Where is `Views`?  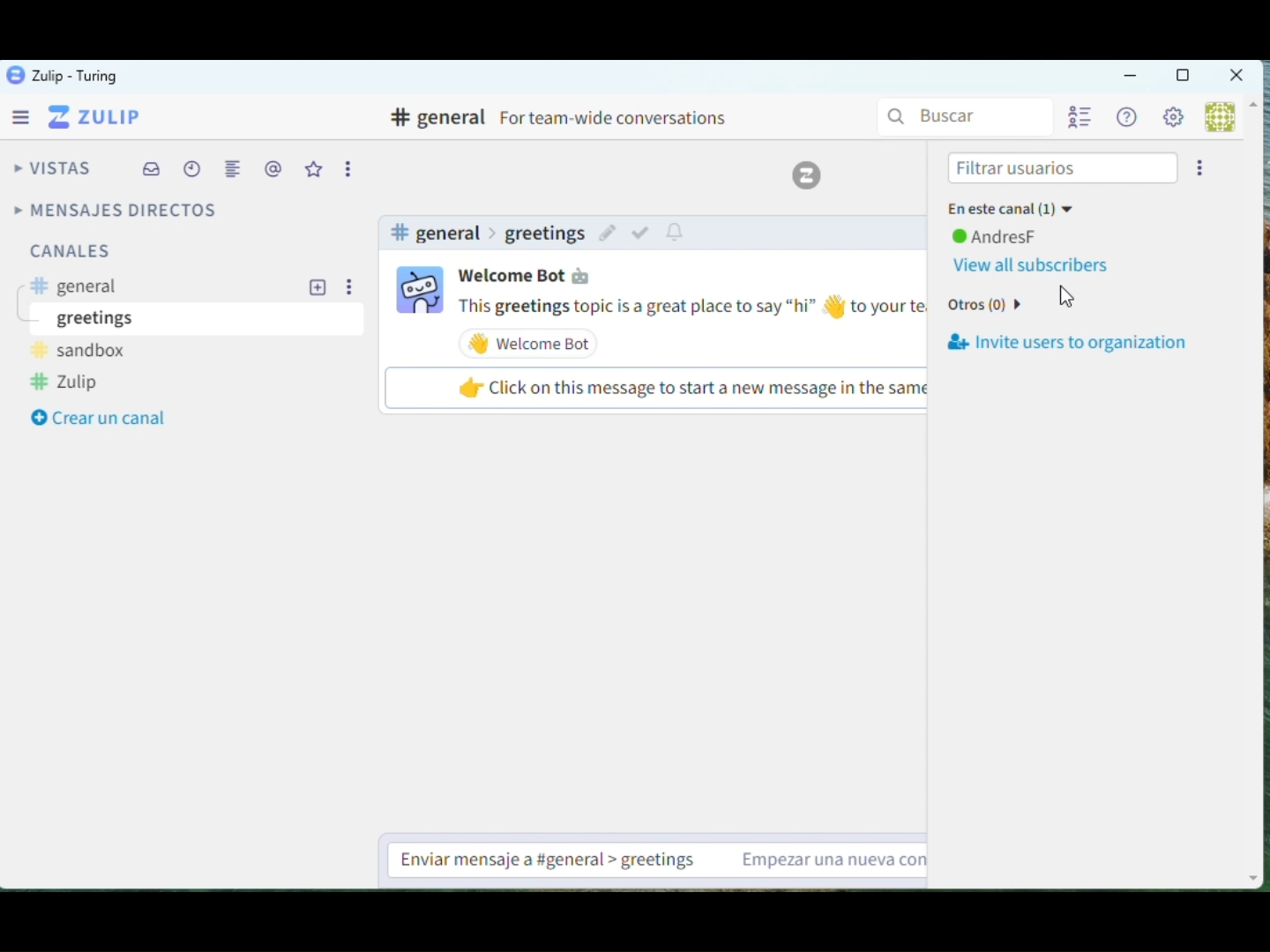 Views is located at coordinates (53, 168).